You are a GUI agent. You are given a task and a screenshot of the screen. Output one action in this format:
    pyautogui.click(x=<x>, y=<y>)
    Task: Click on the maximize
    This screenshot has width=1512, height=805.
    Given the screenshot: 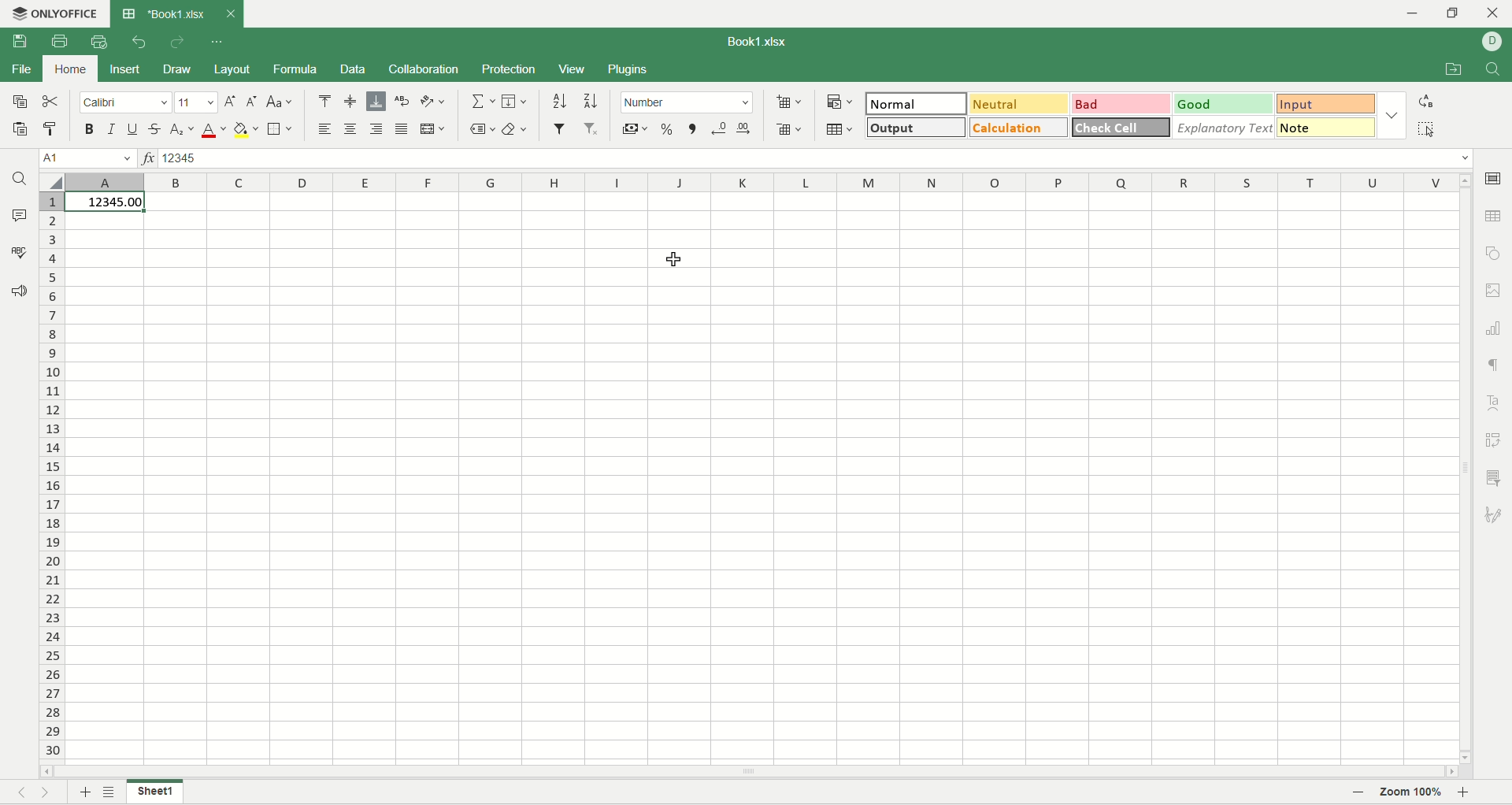 What is the action you would take?
    pyautogui.click(x=1456, y=14)
    